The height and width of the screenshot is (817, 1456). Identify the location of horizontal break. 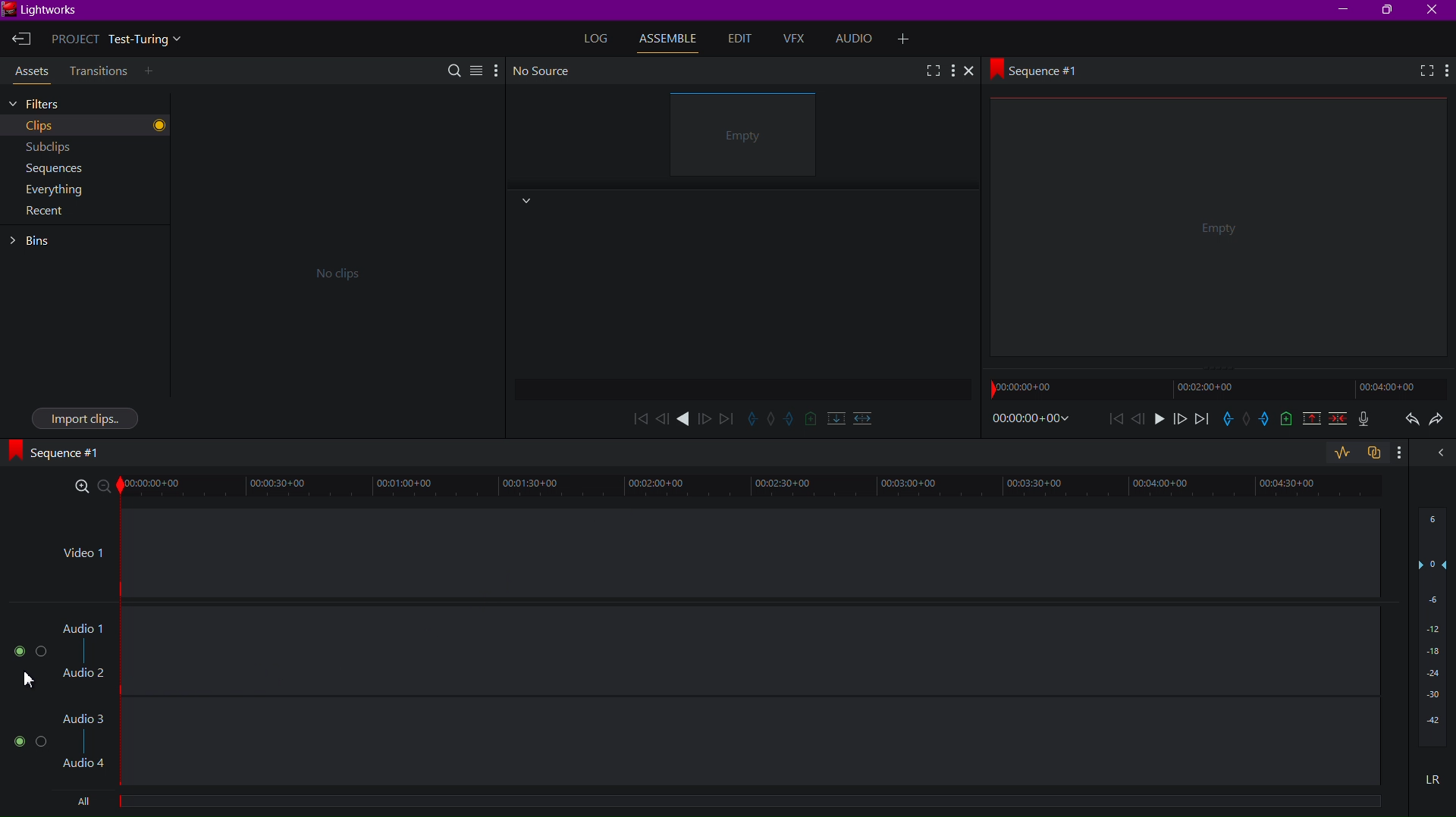
(864, 415).